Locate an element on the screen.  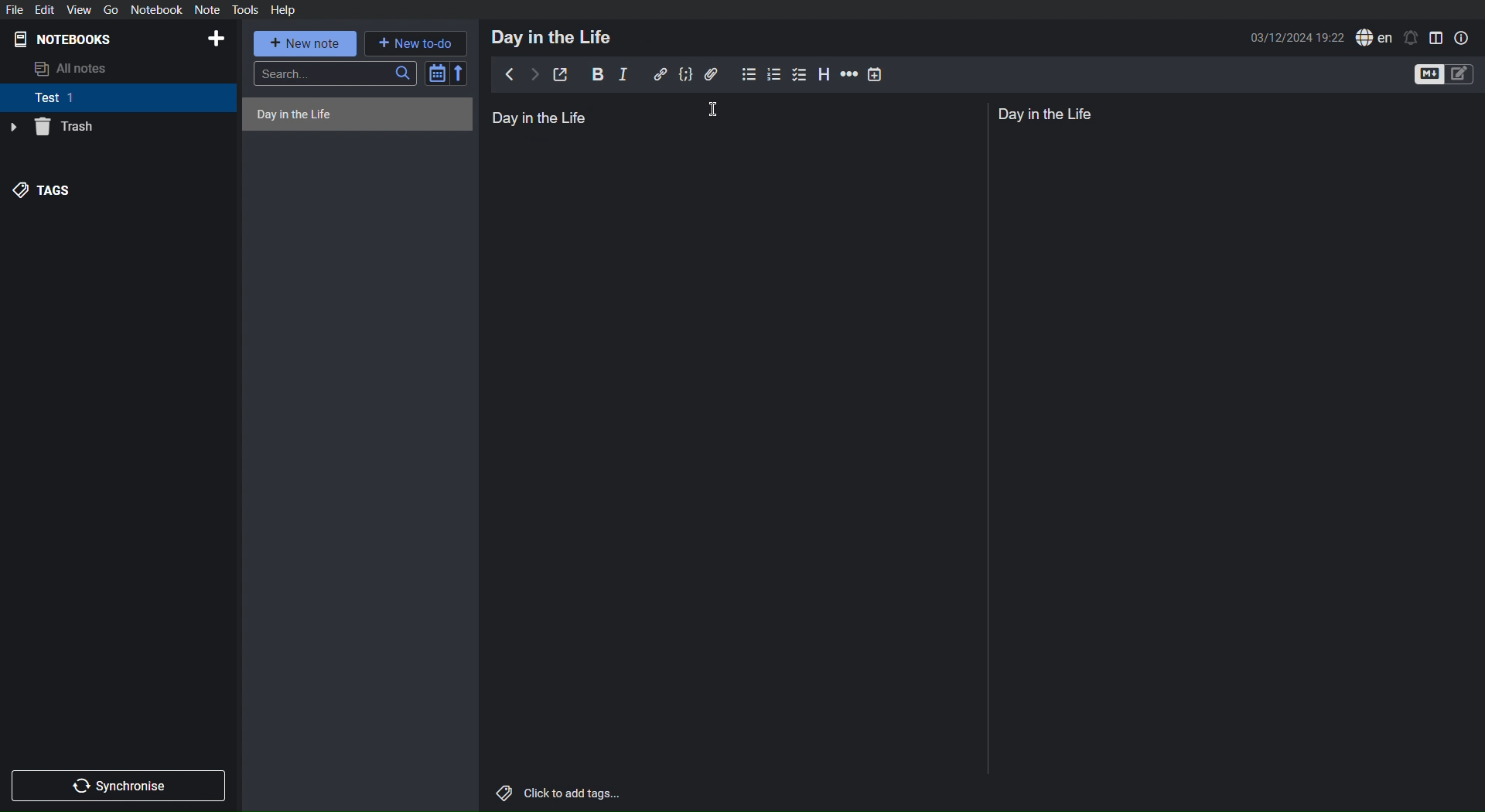
View is located at coordinates (79, 10).